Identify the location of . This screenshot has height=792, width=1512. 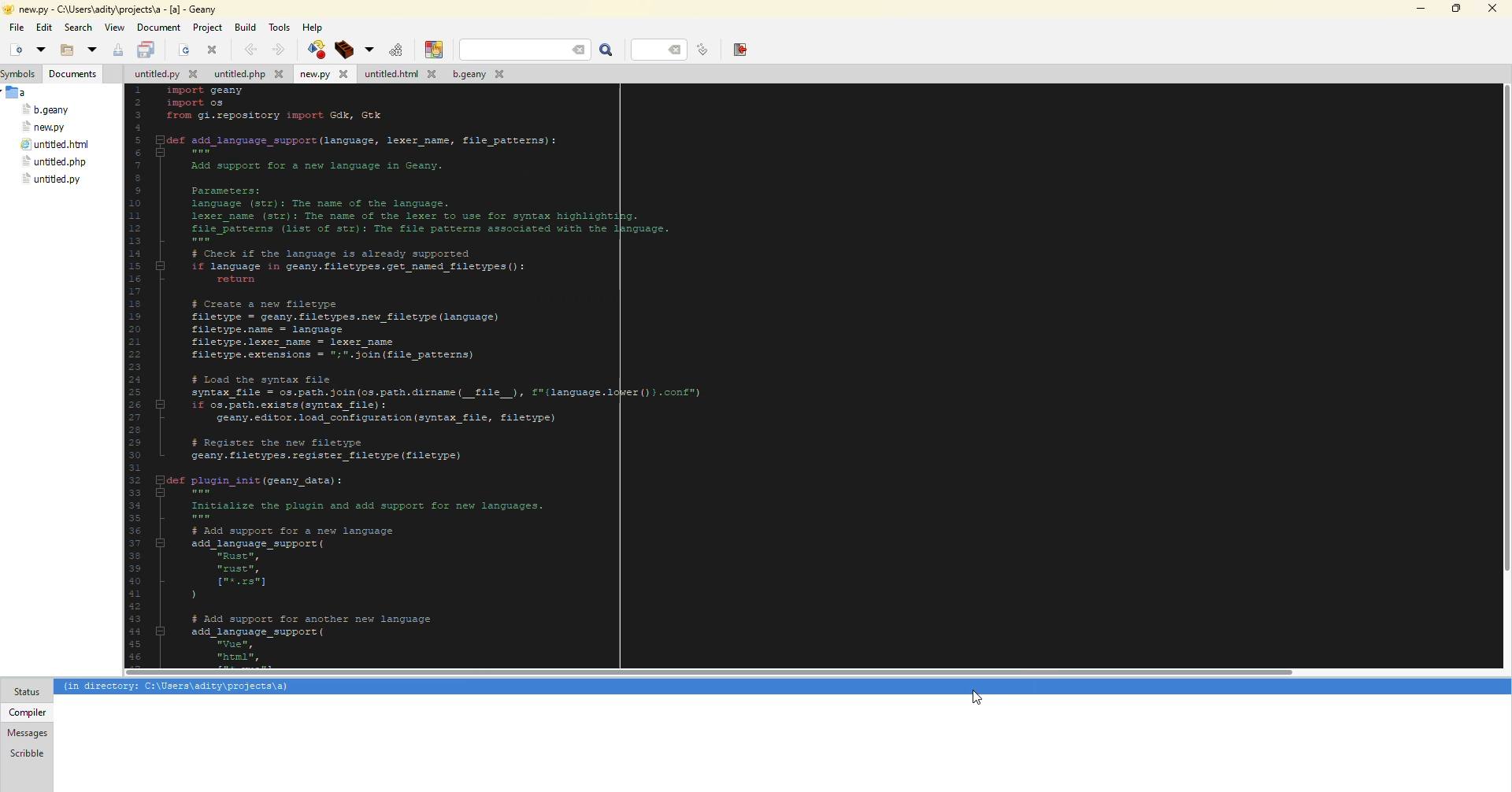
(1503, 339).